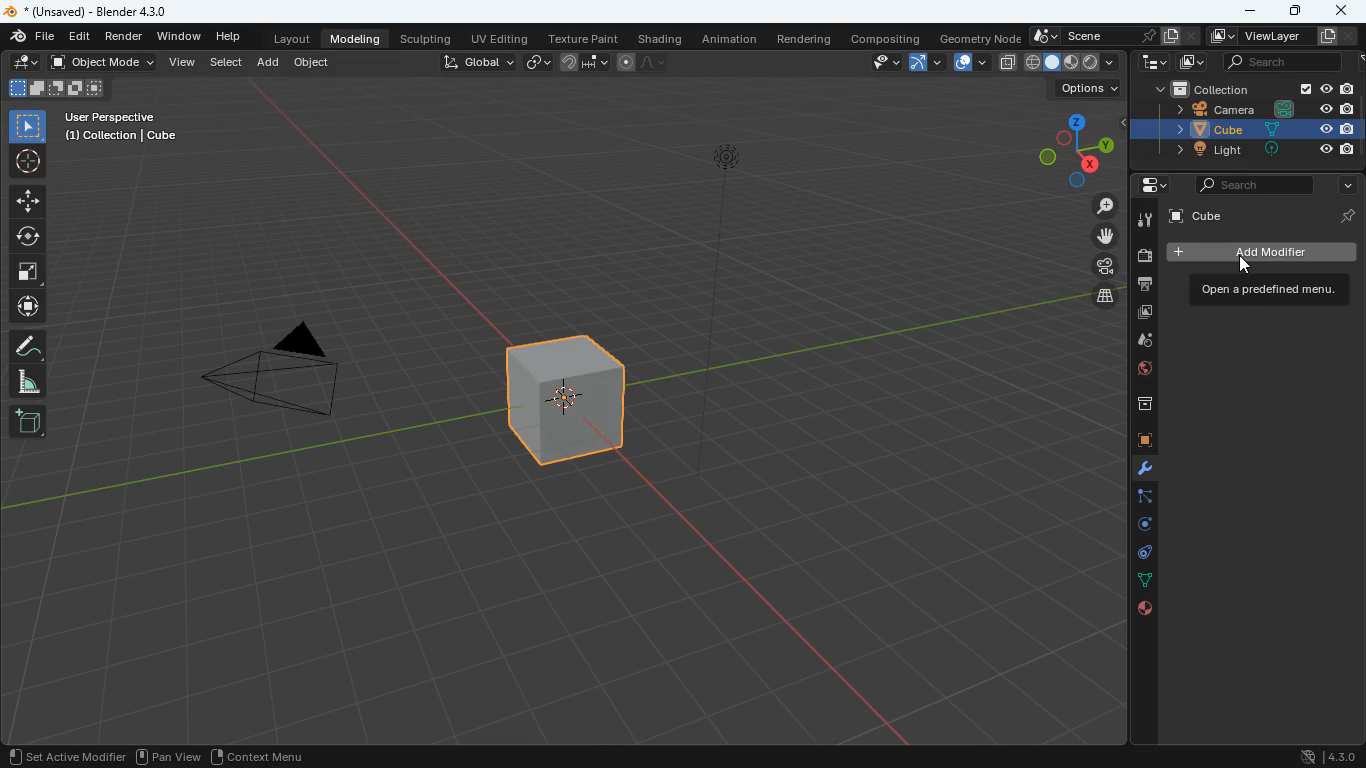 This screenshot has width=1366, height=768. What do you see at coordinates (1106, 298) in the screenshot?
I see `layers` at bounding box center [1106, 298].